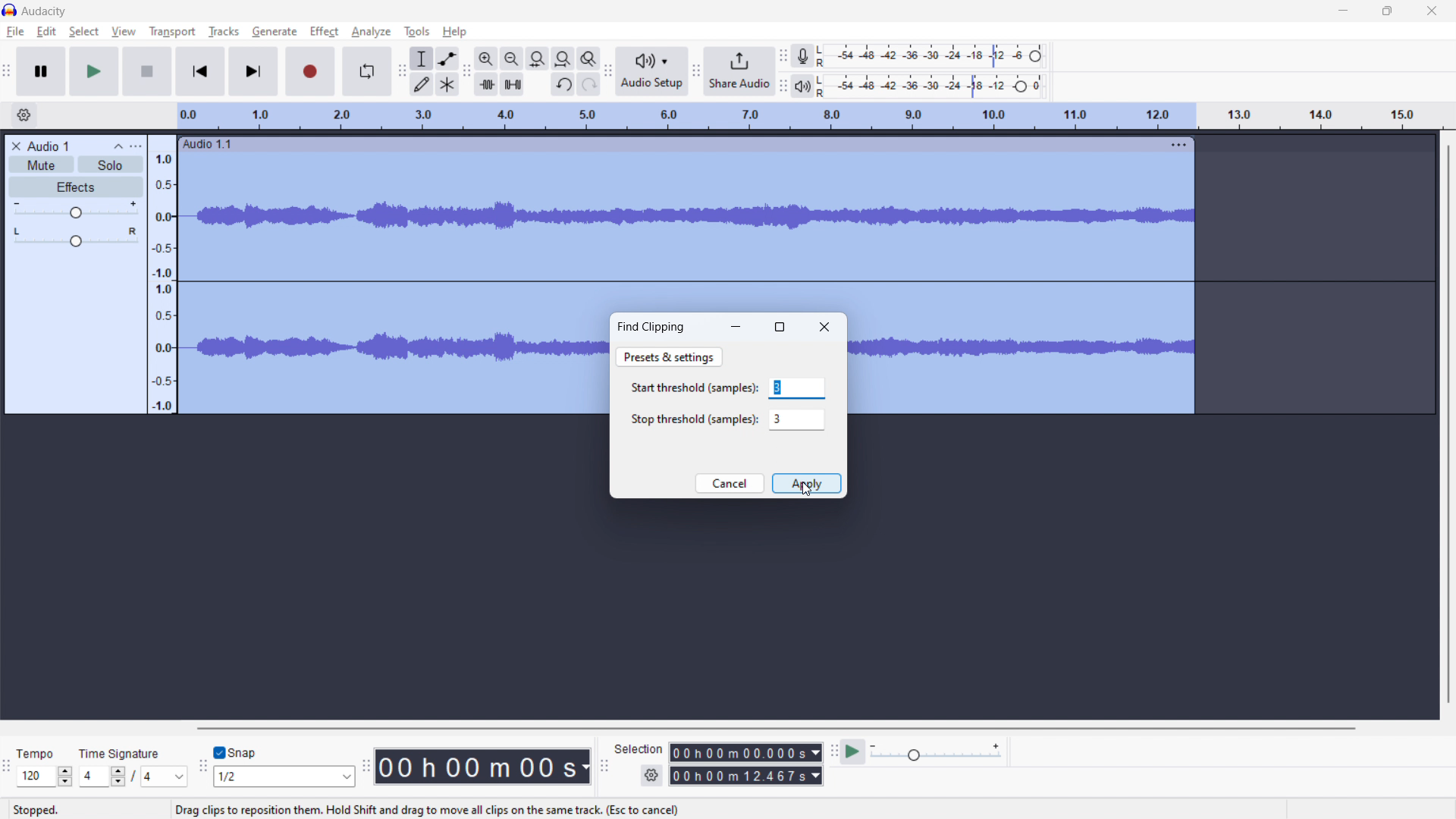 This screenshot has height=819, width=1456. I want to click on horizontal toolbar, so click(778, 728).